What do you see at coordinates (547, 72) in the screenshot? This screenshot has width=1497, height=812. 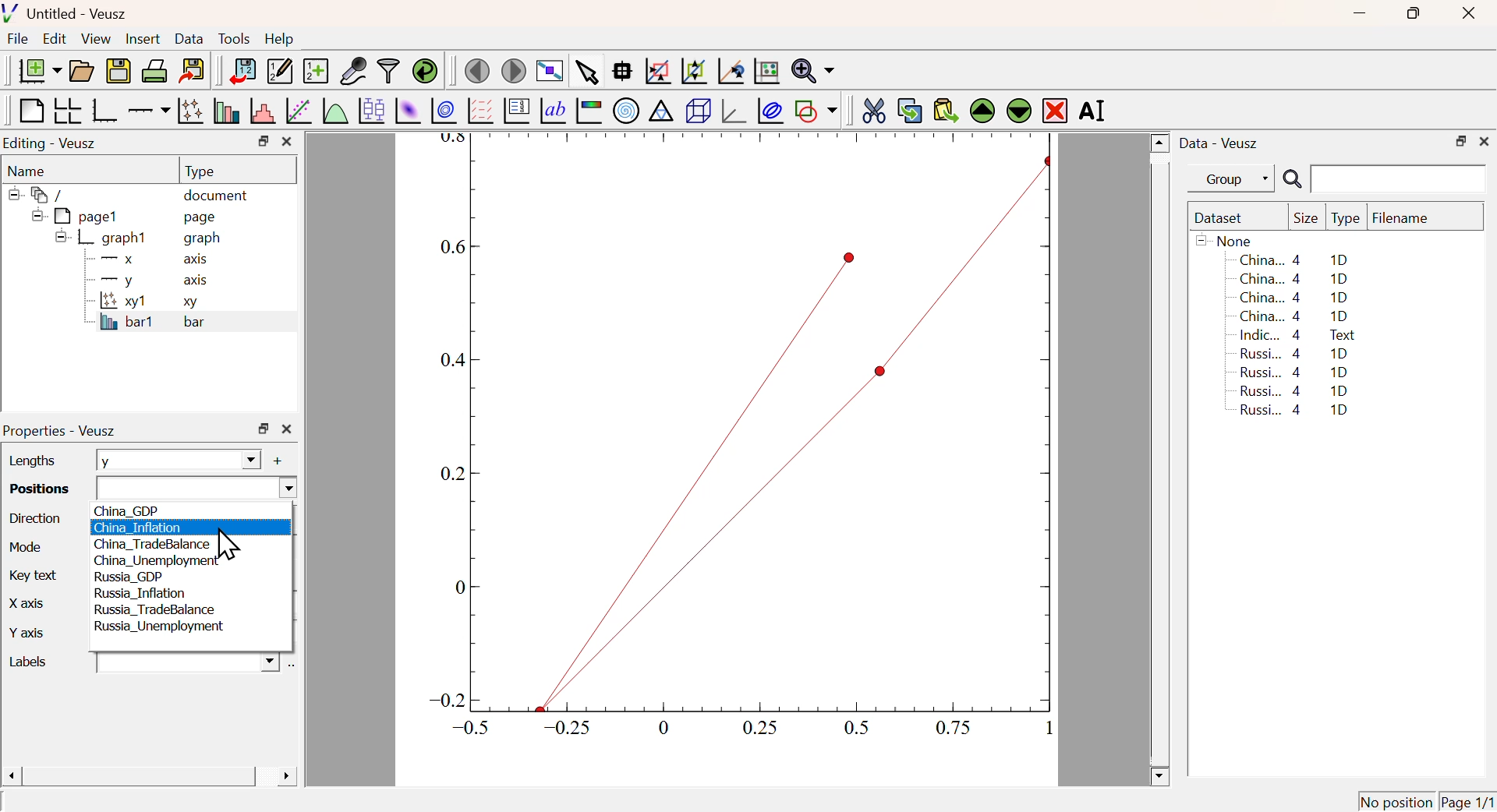 I see `View plot fullscreen` at bounding box center [547, 72].